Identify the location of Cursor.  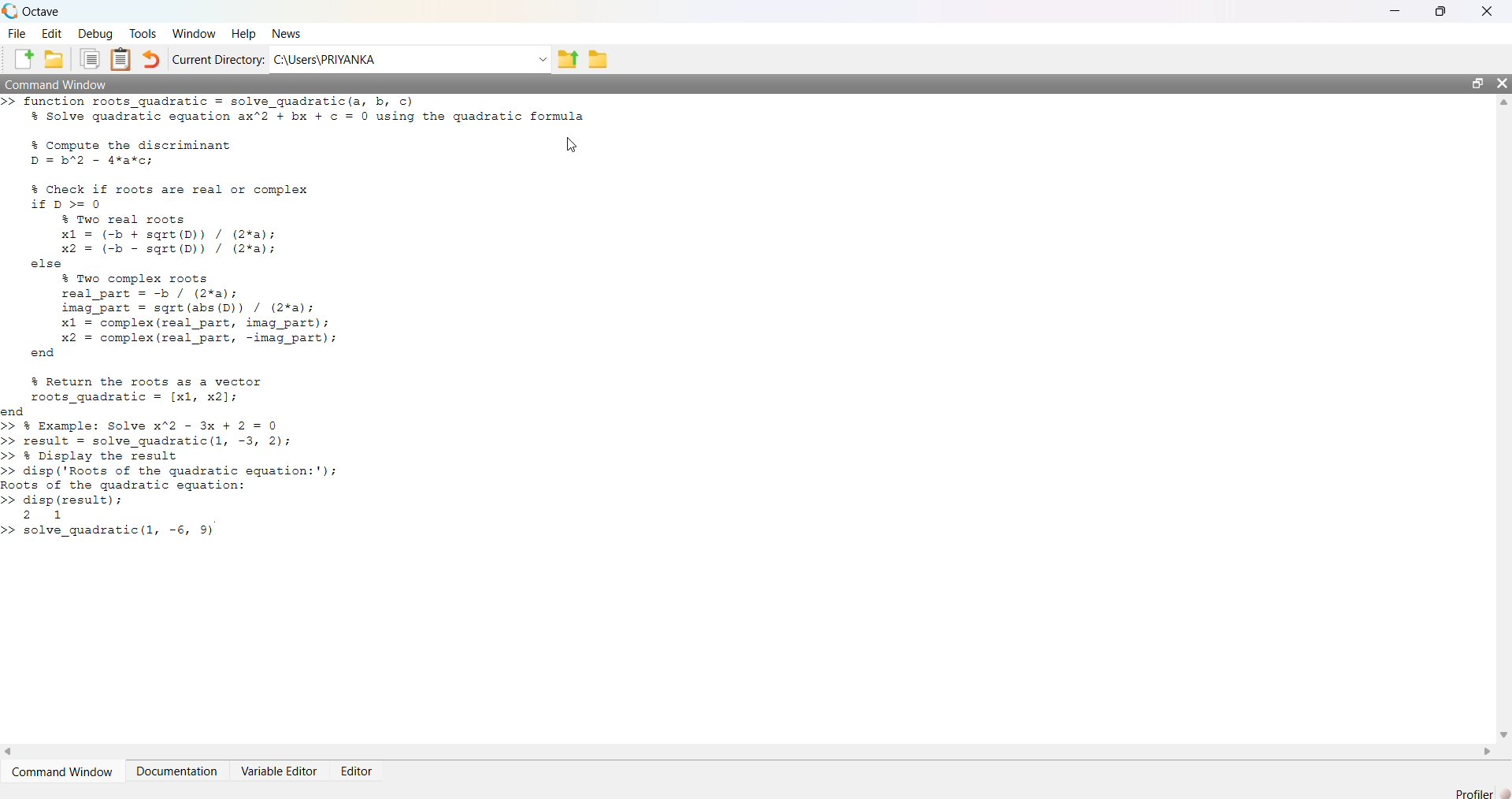
(573, 145).